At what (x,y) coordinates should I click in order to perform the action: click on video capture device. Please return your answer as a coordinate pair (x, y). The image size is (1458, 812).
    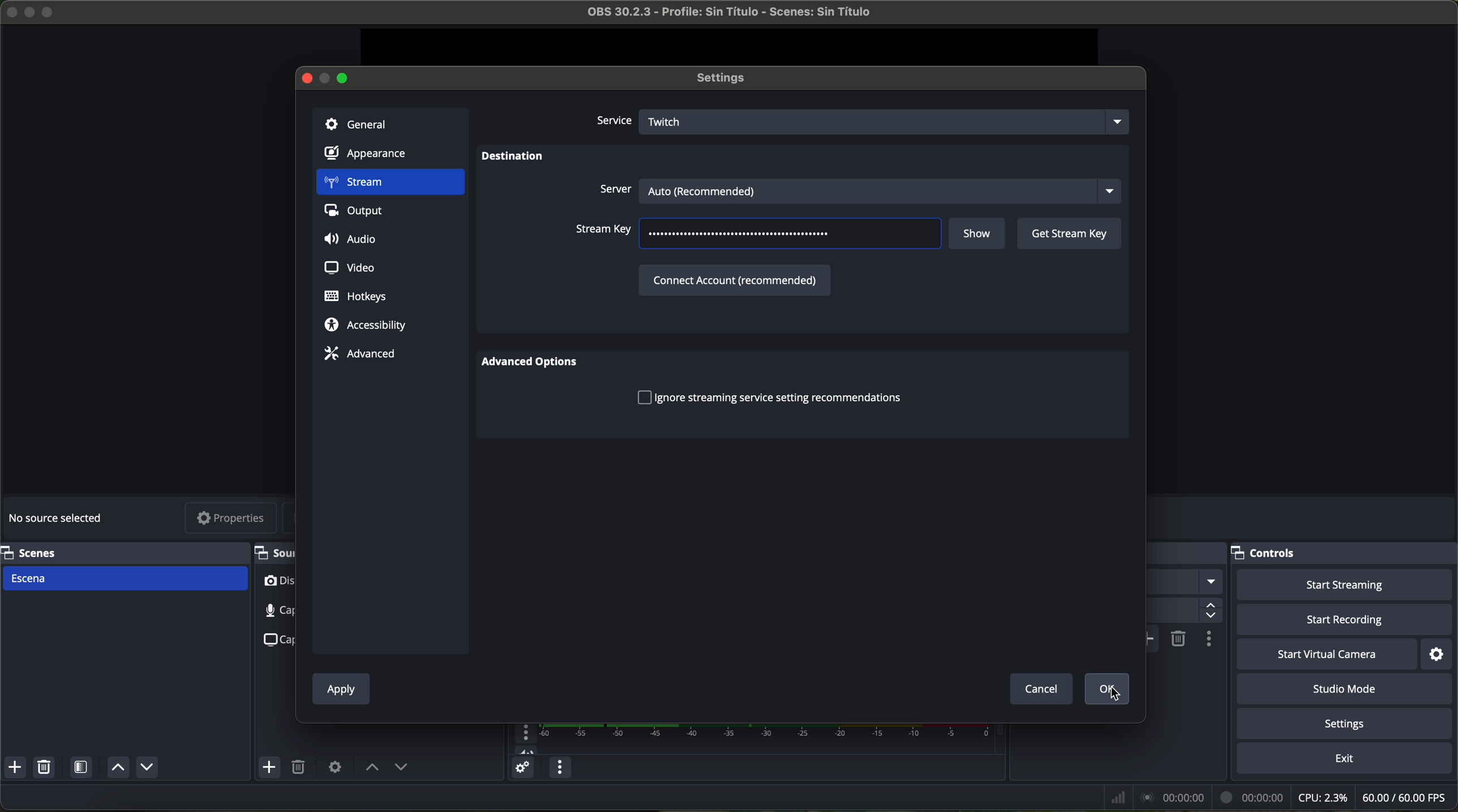
    Looking at the image, I should click on (278, 583).